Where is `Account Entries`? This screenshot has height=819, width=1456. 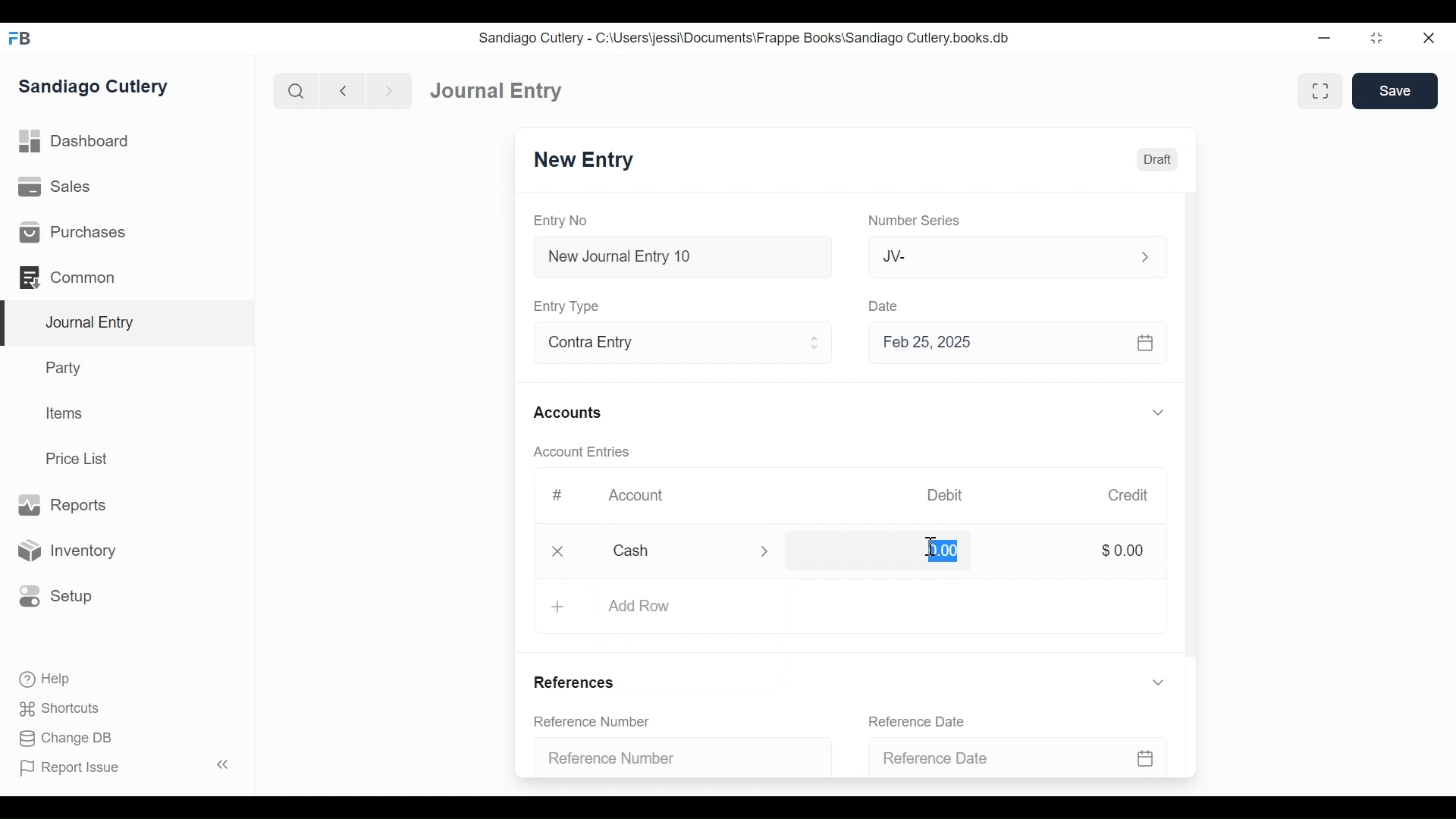
Account Entries is located at coordinates (588, 452).